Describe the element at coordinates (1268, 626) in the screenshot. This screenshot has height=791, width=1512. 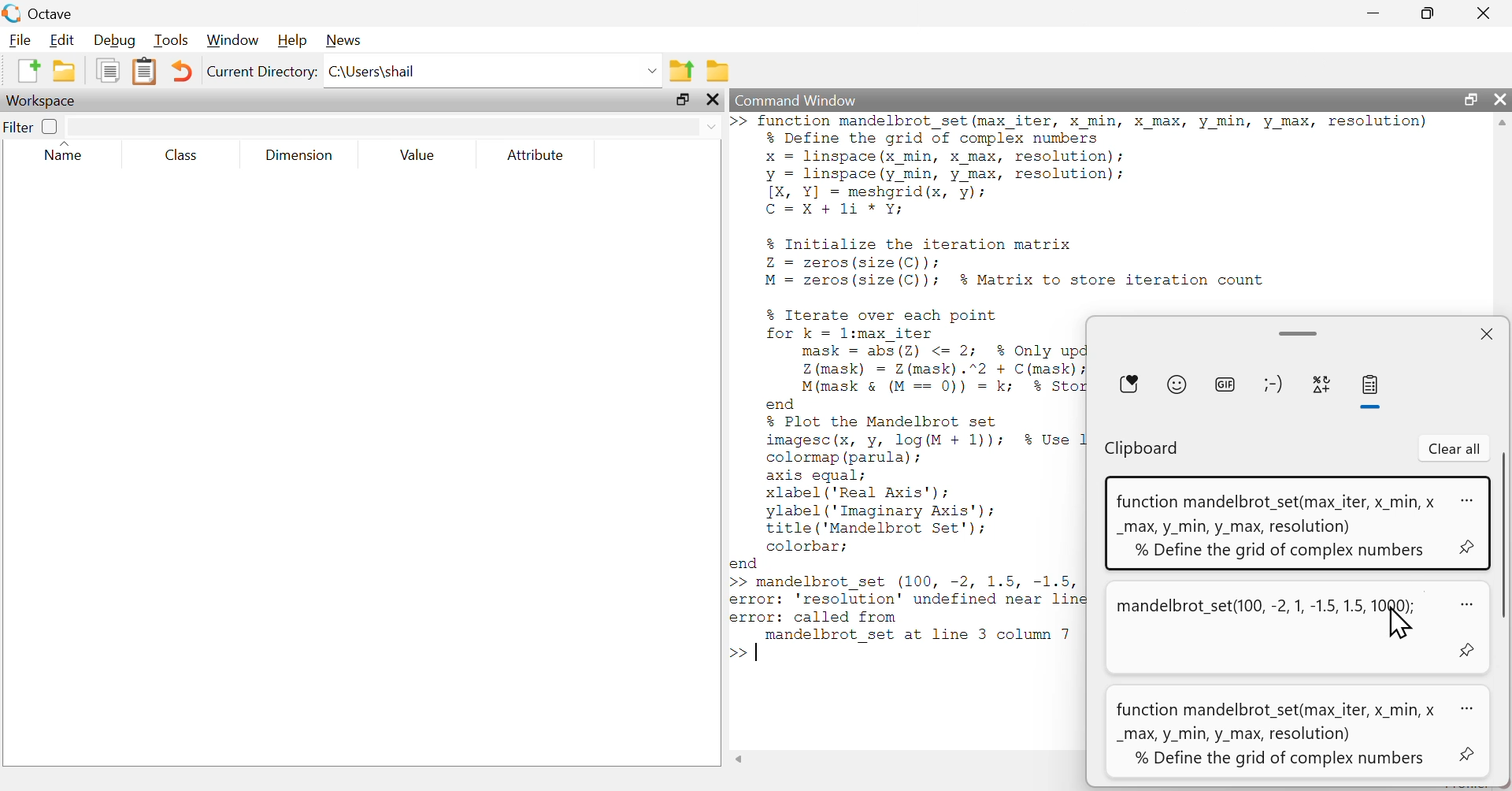
I see `mandelbrot_set(100, -2, 1, -1.5, 1.5, BN` at that location.